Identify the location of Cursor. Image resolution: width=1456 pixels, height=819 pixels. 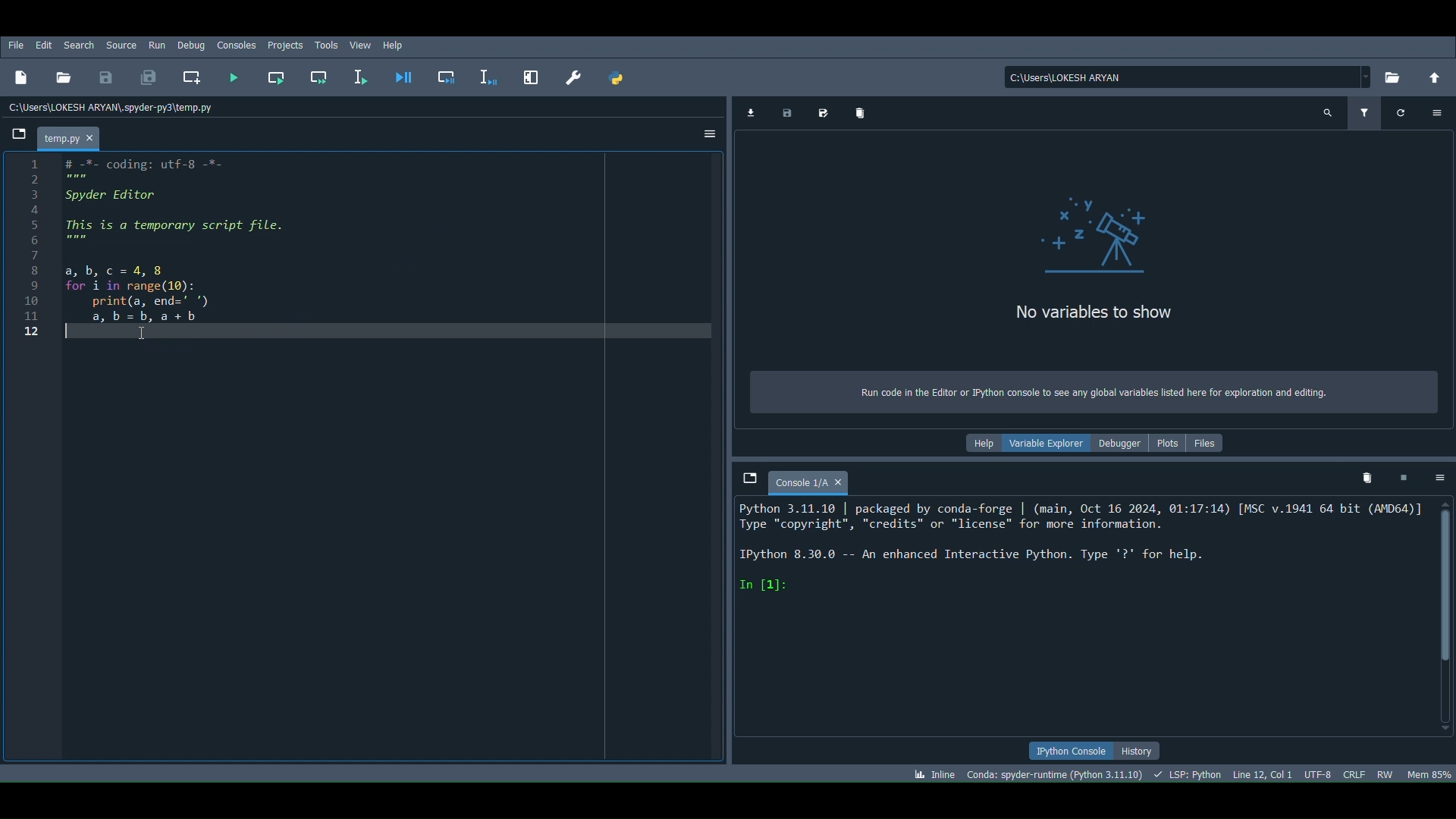
(142, 329).